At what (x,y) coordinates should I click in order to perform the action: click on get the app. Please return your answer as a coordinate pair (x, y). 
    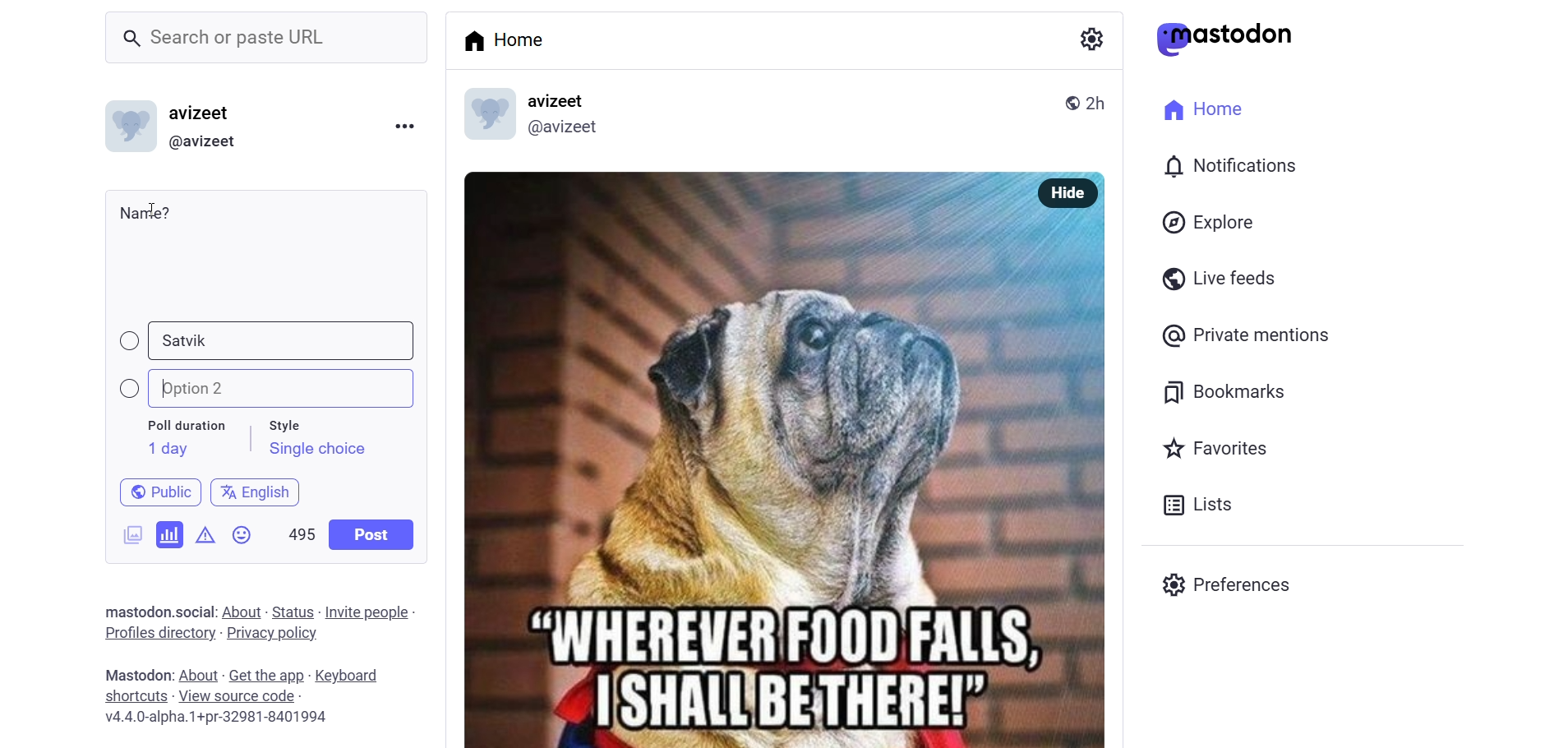
    Looking at the image, I should click on (267, 674).